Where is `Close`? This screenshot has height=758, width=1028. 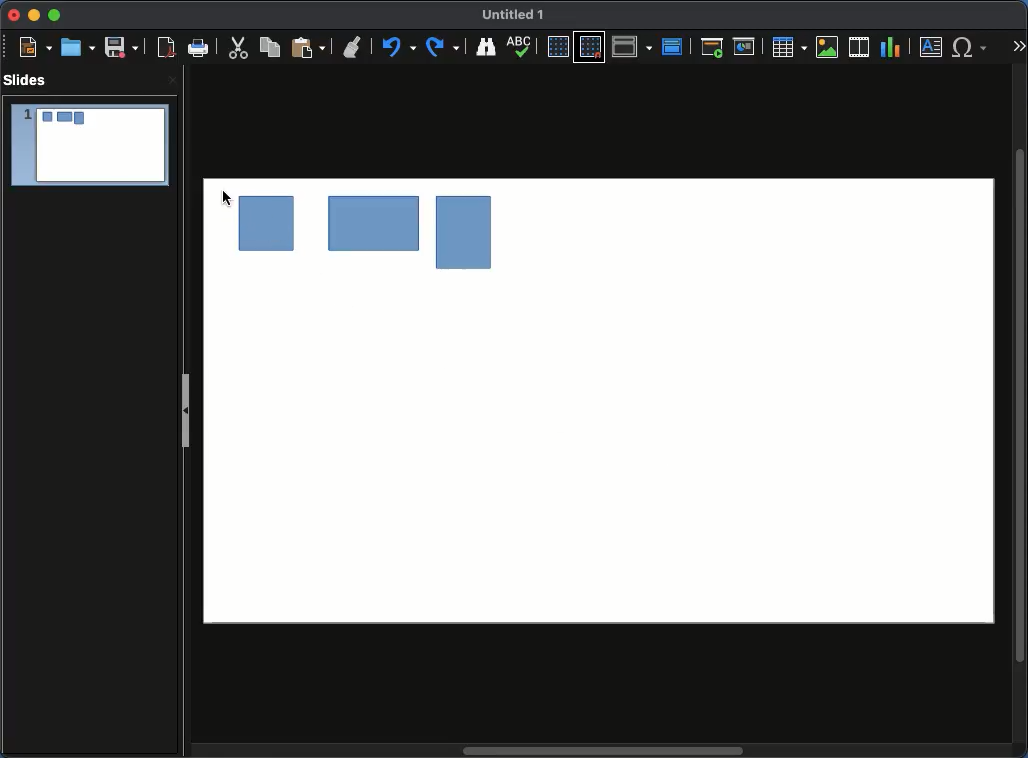
Close is located at coordinates (14, 16).